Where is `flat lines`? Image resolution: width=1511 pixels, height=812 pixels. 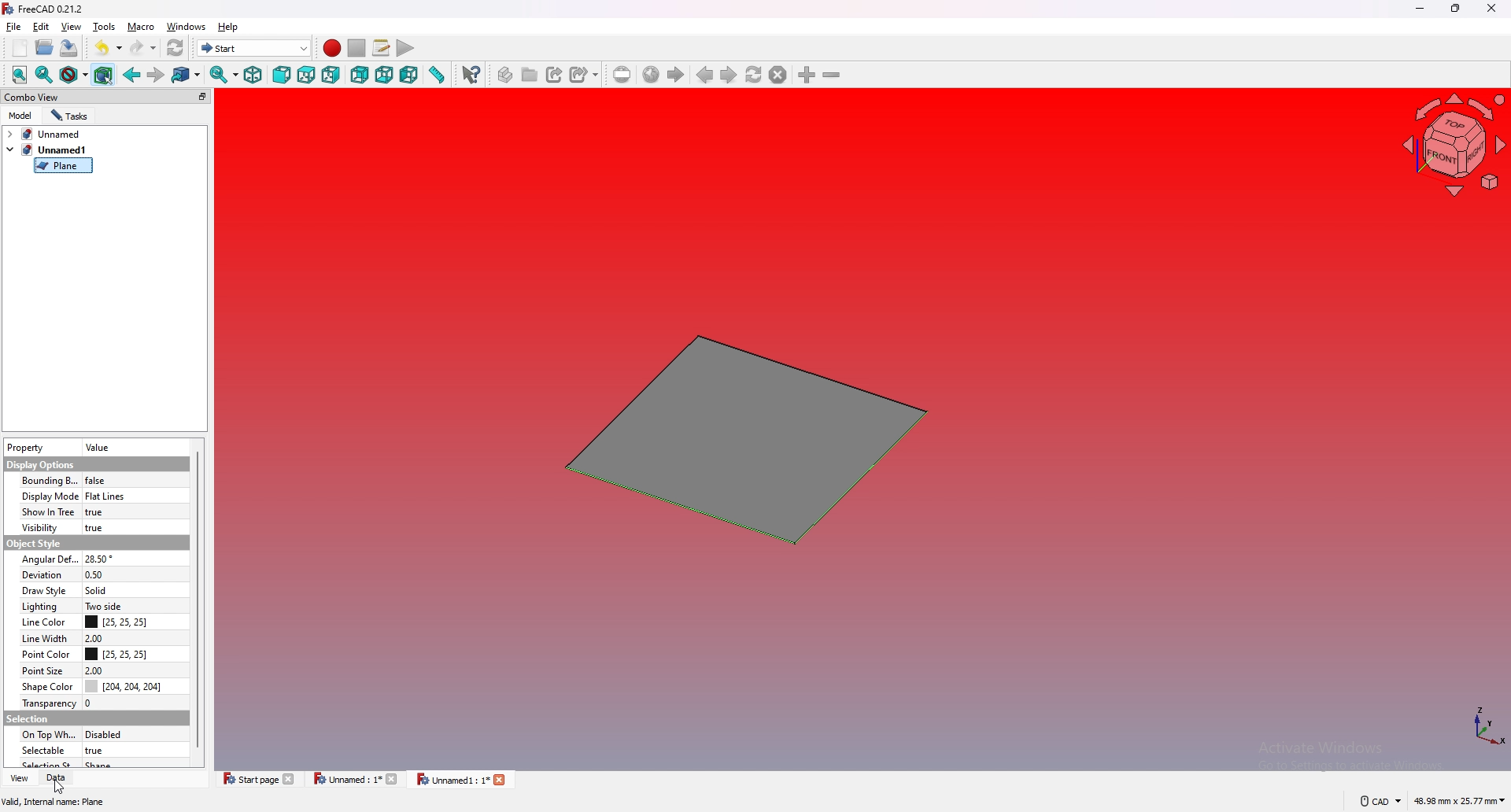
flat lines is located at coordinates (115, 496).